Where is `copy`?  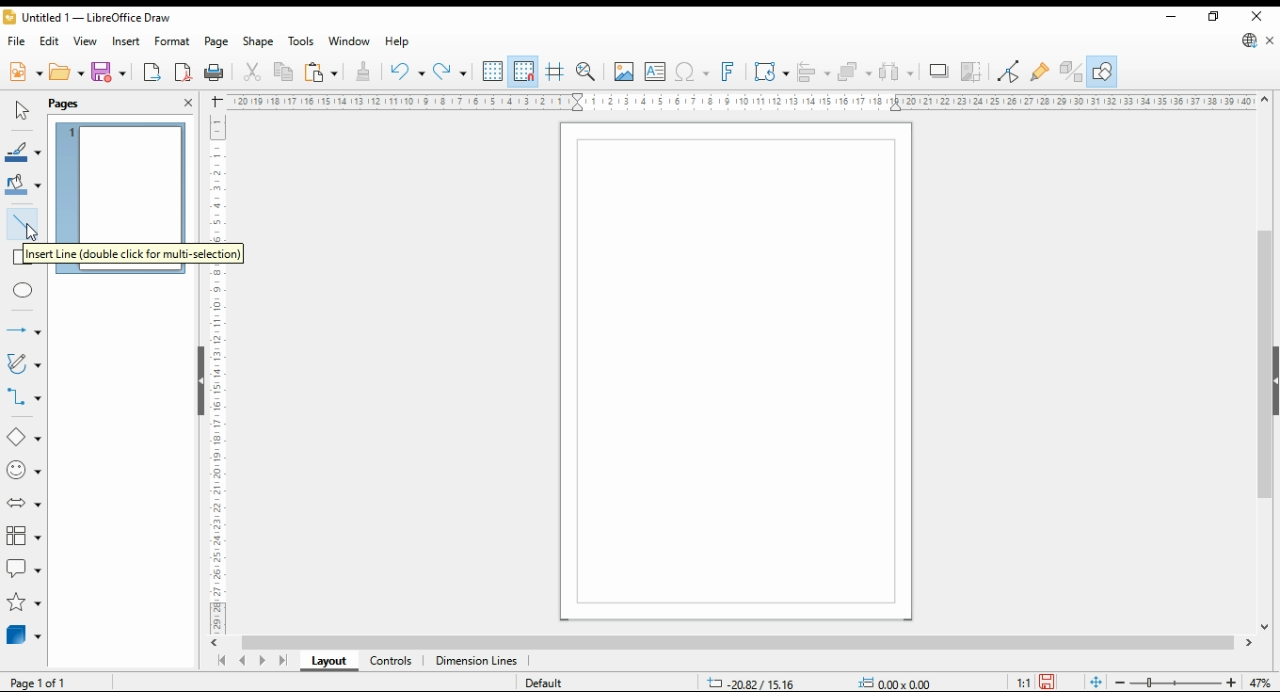
copy is located at coordinates (283, 72).